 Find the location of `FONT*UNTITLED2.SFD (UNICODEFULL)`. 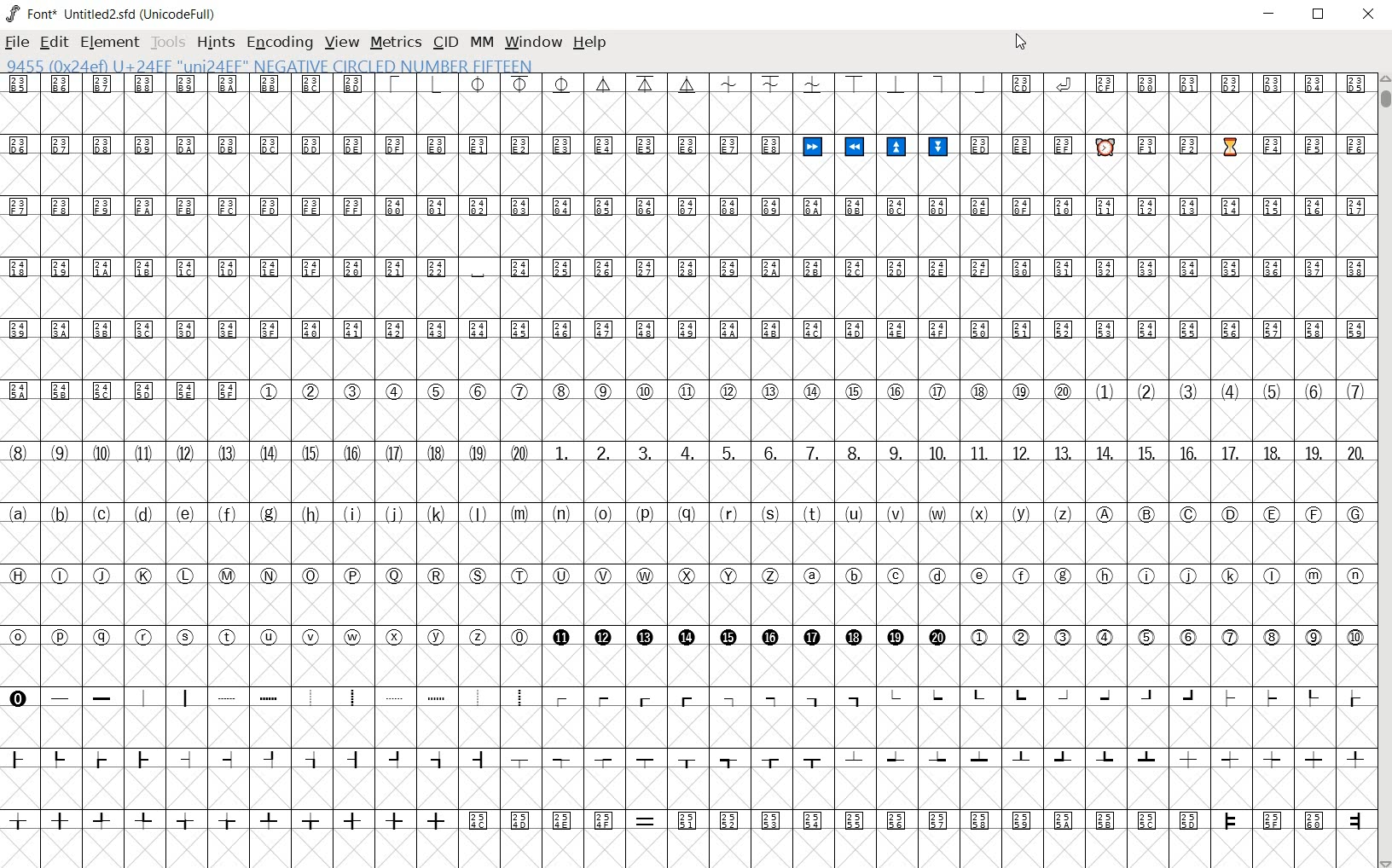

FONT*UNTITLED2.SFD (UNICODEFULL) is located at coordinates (114, 12).